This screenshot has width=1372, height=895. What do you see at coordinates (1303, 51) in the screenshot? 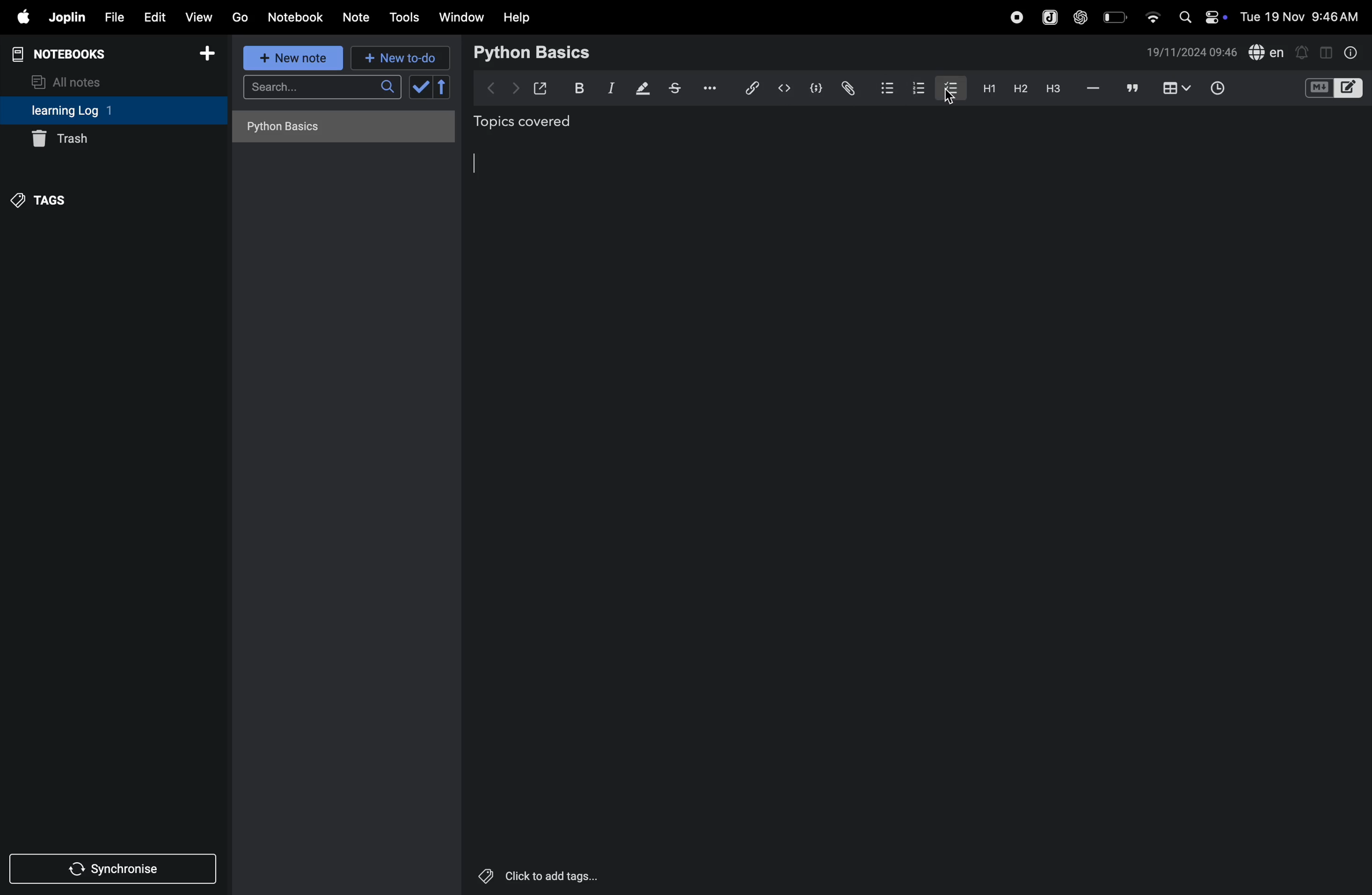
I see `alert` at bounding box center [1303, 51].